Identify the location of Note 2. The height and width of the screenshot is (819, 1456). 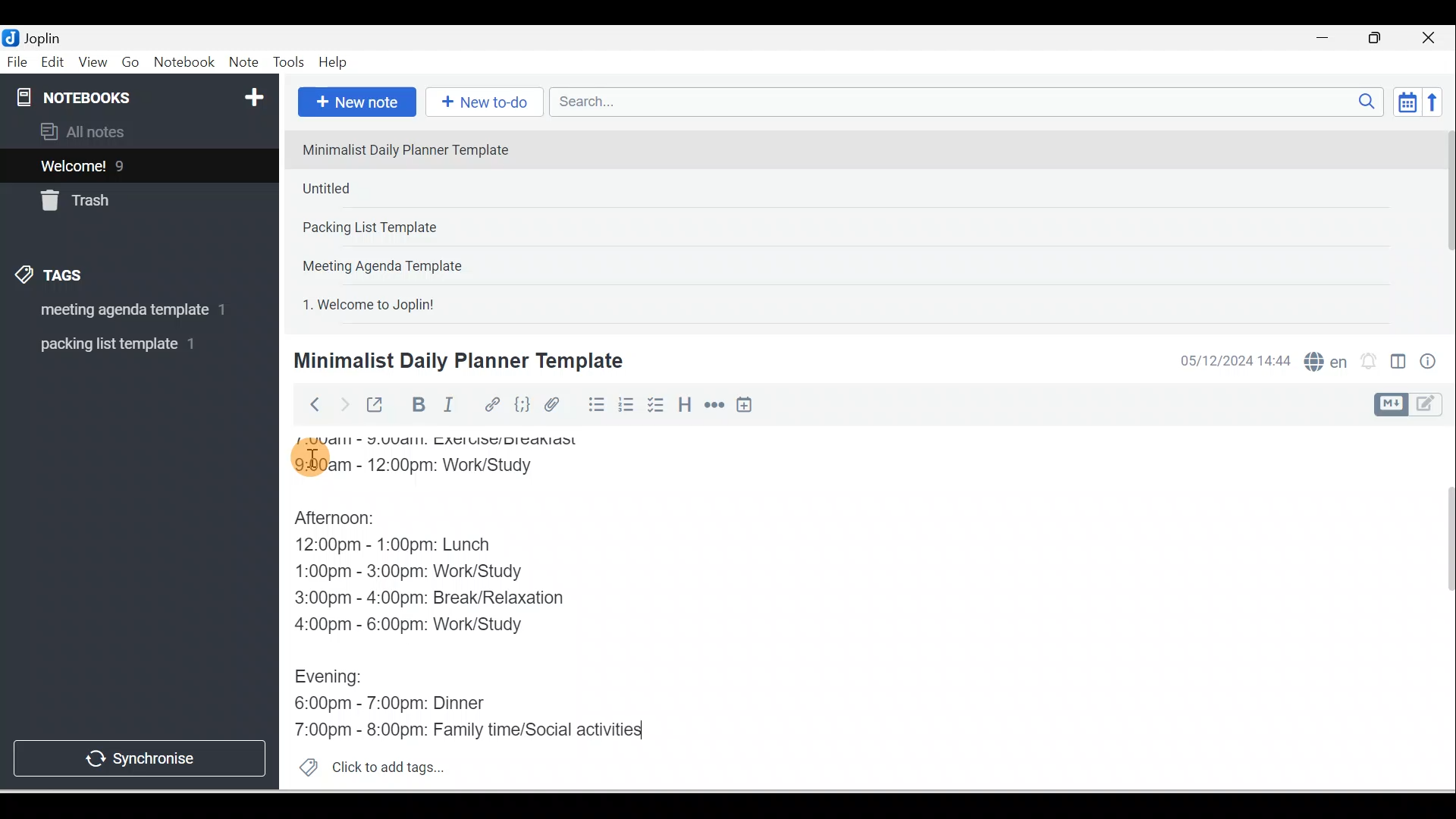
(401, 188).